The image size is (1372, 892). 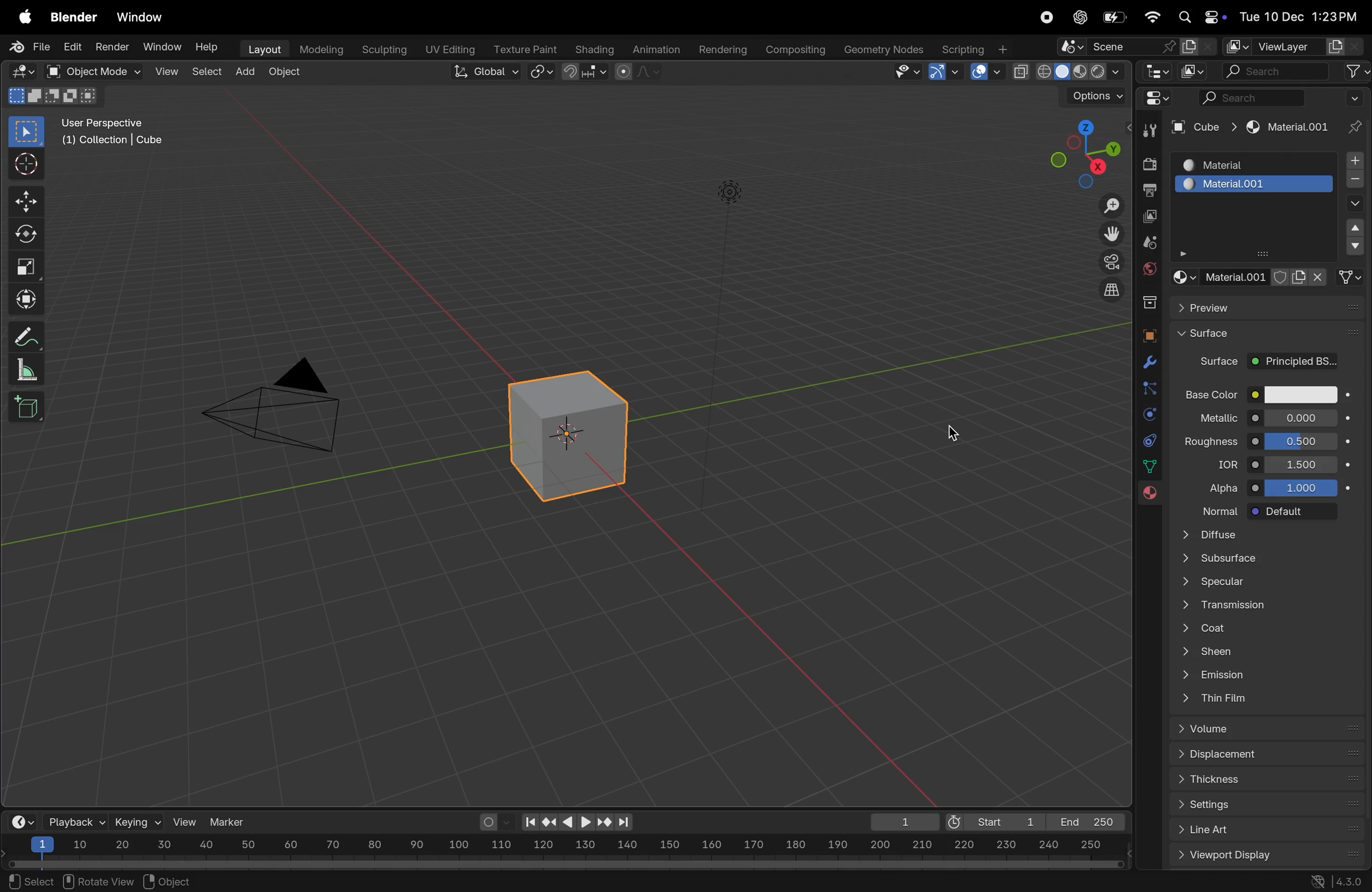 I want to click on select, so click(x=28, y=132).